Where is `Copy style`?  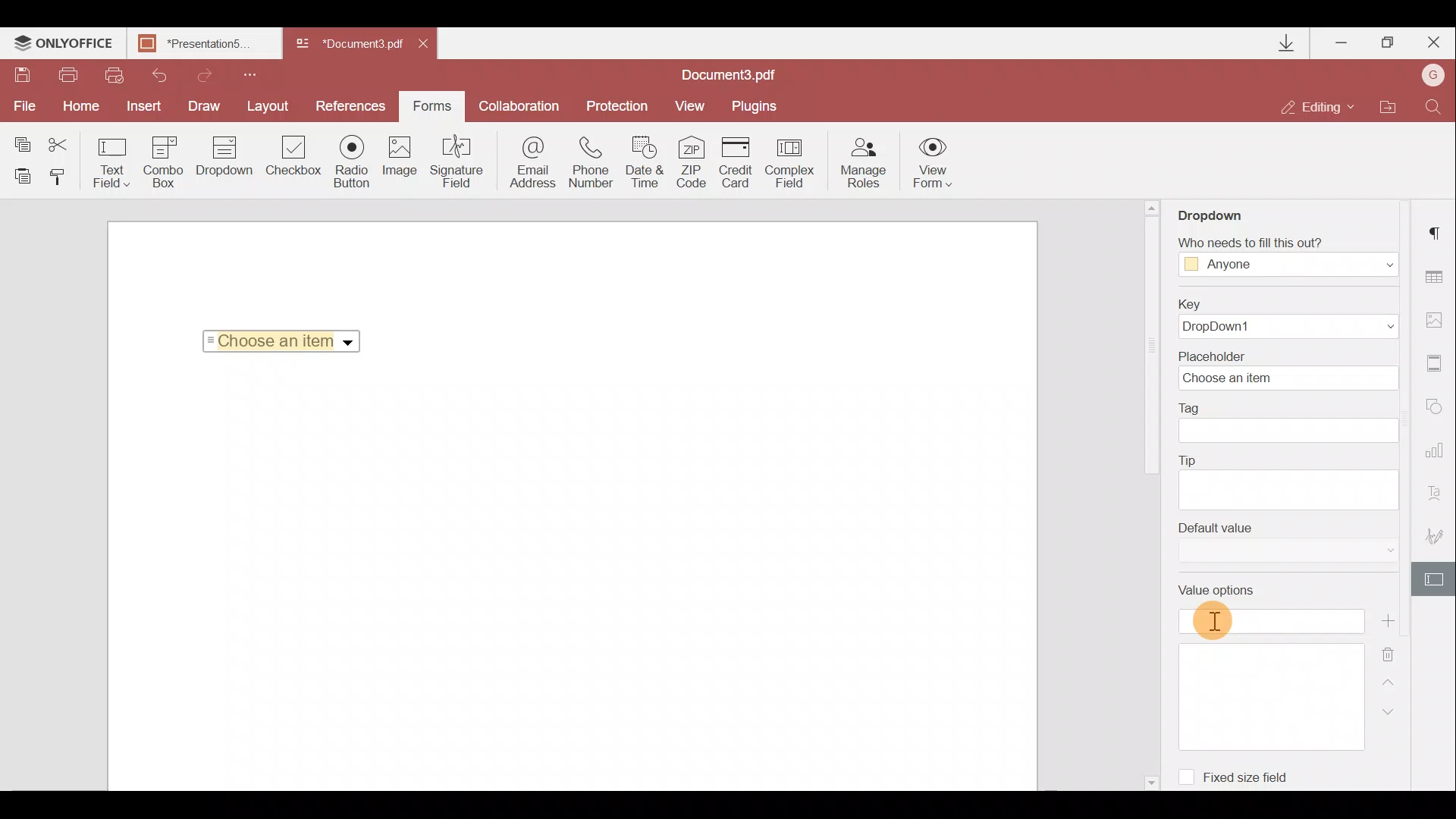 Copy style is located at coordinates (62, 176).